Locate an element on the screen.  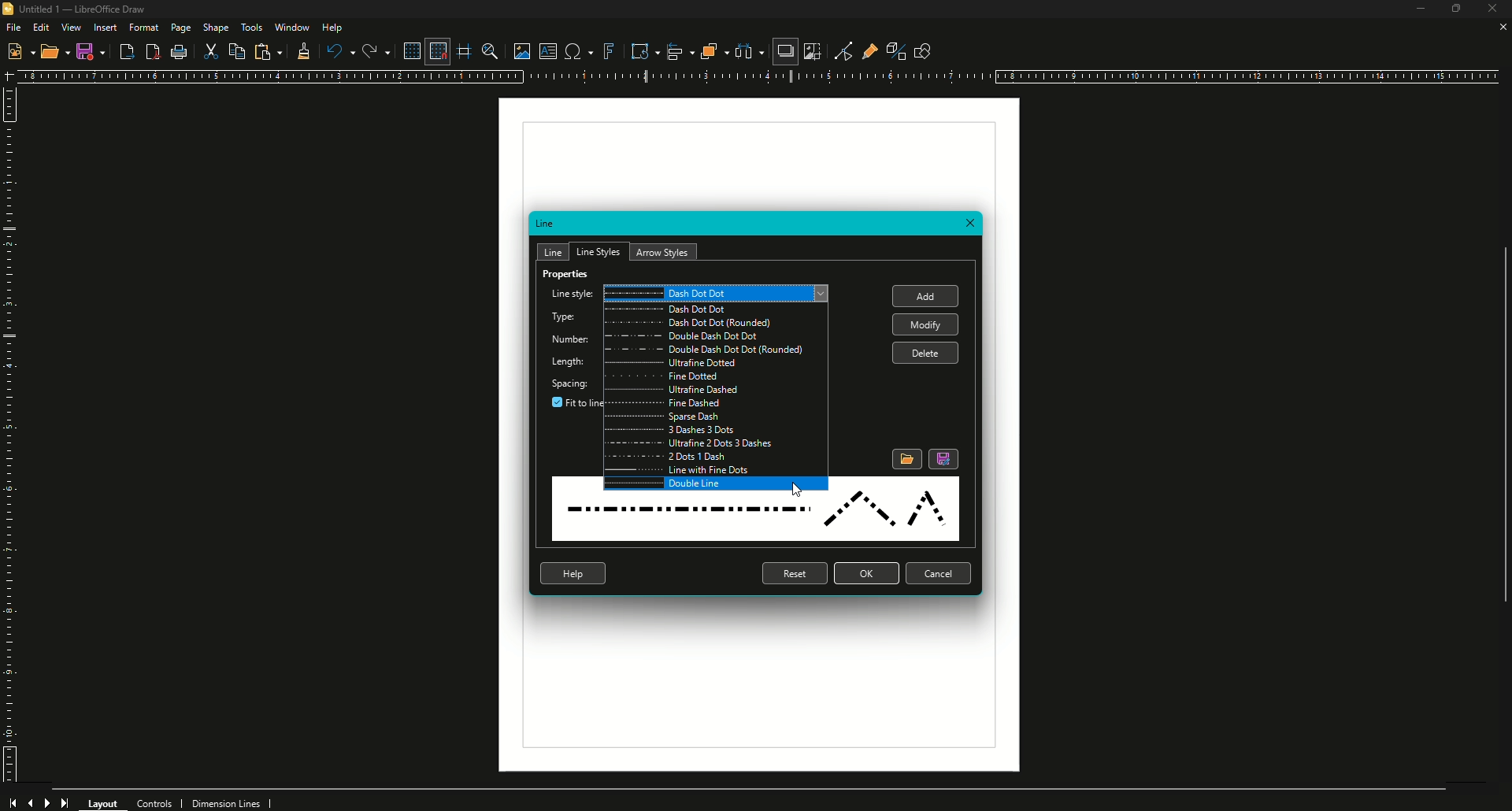
Redo is located at coordinates (375, 51).